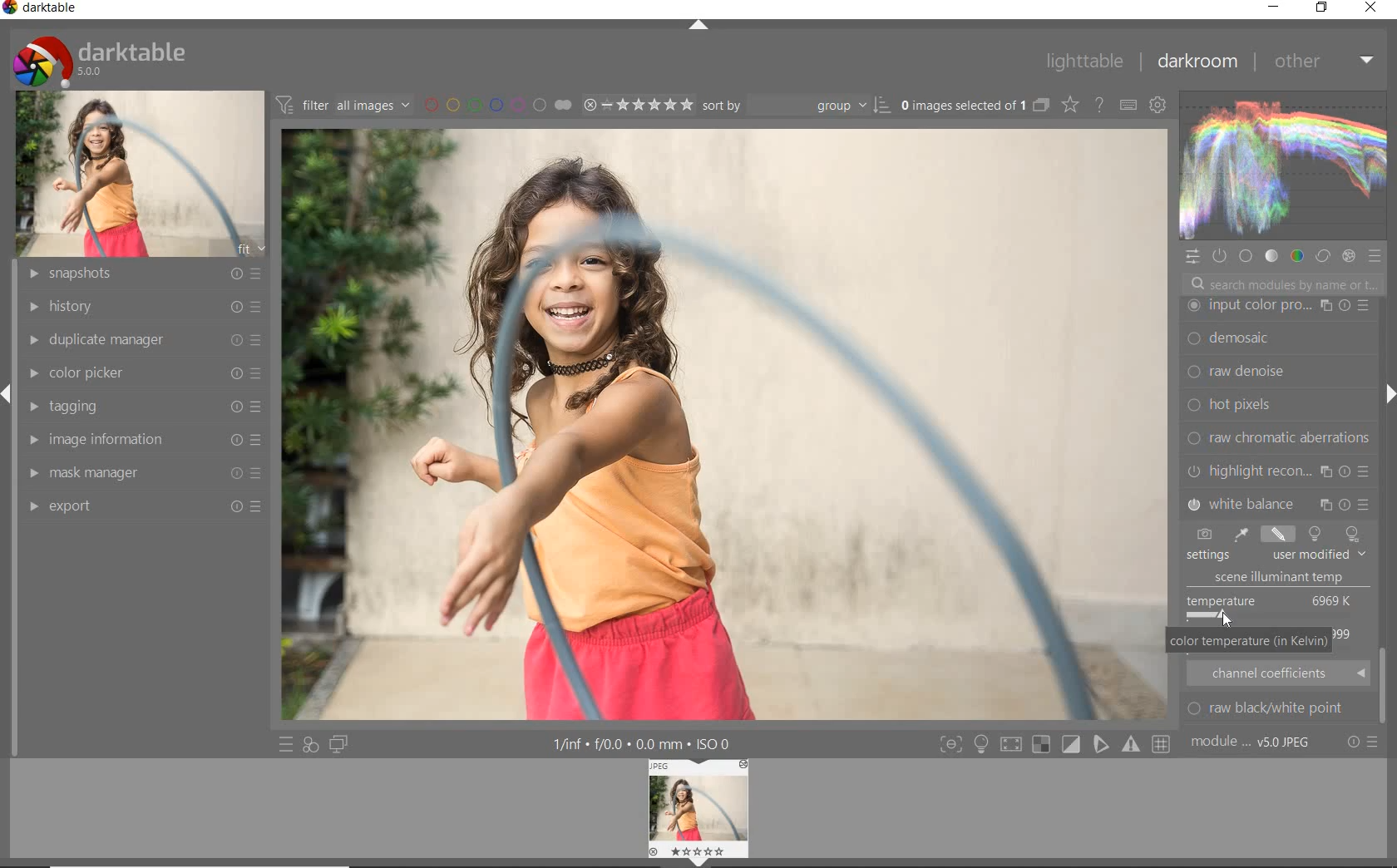 Image resolution: width=1397 pixels, height=868 pixels. What do you see at coordinates (1071, 105) in the screenshot?
I see `change type for overlay` at bounding box center [1071, 105].